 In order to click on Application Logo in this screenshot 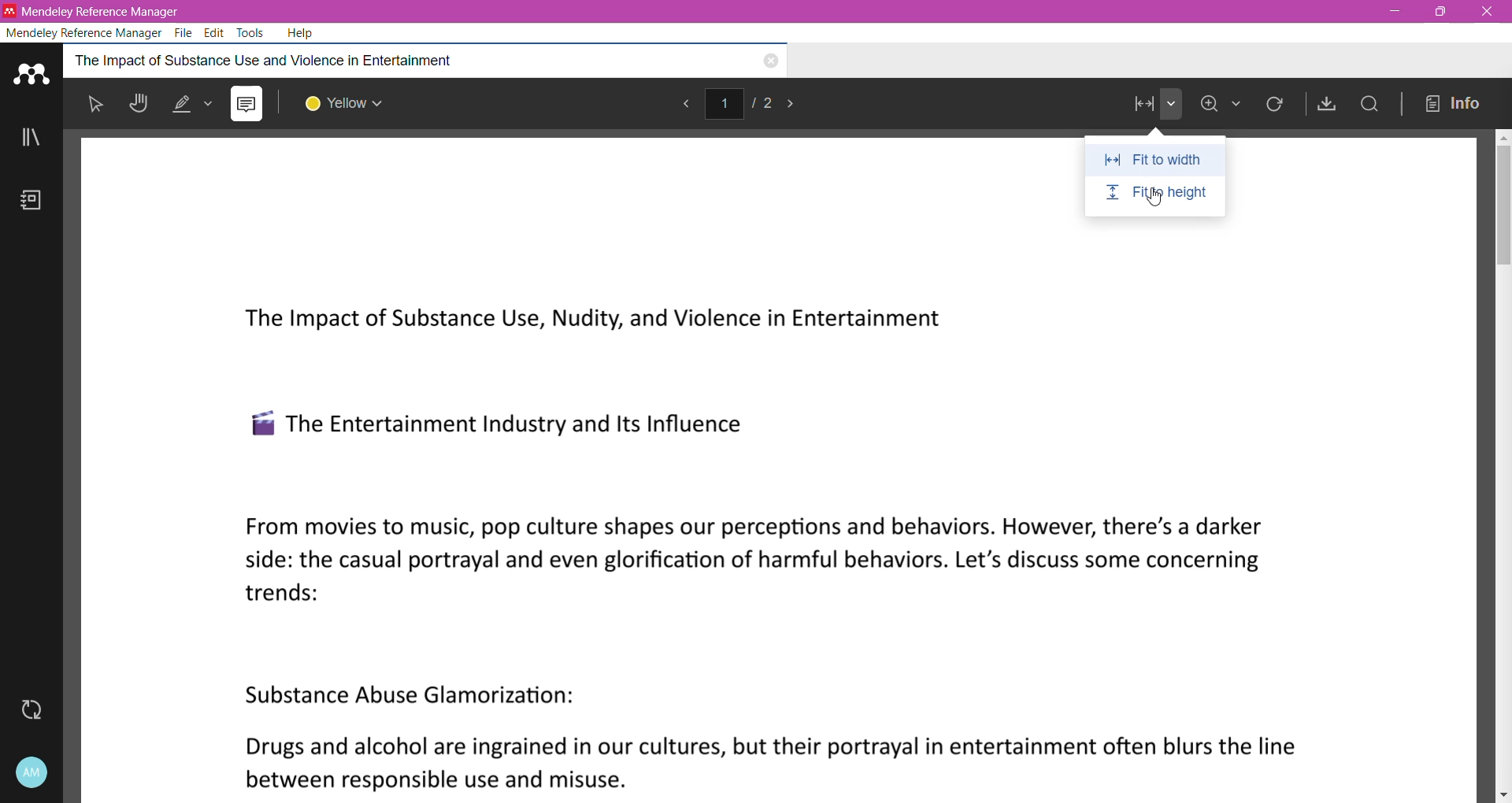, I will do `click(32, 72)`.